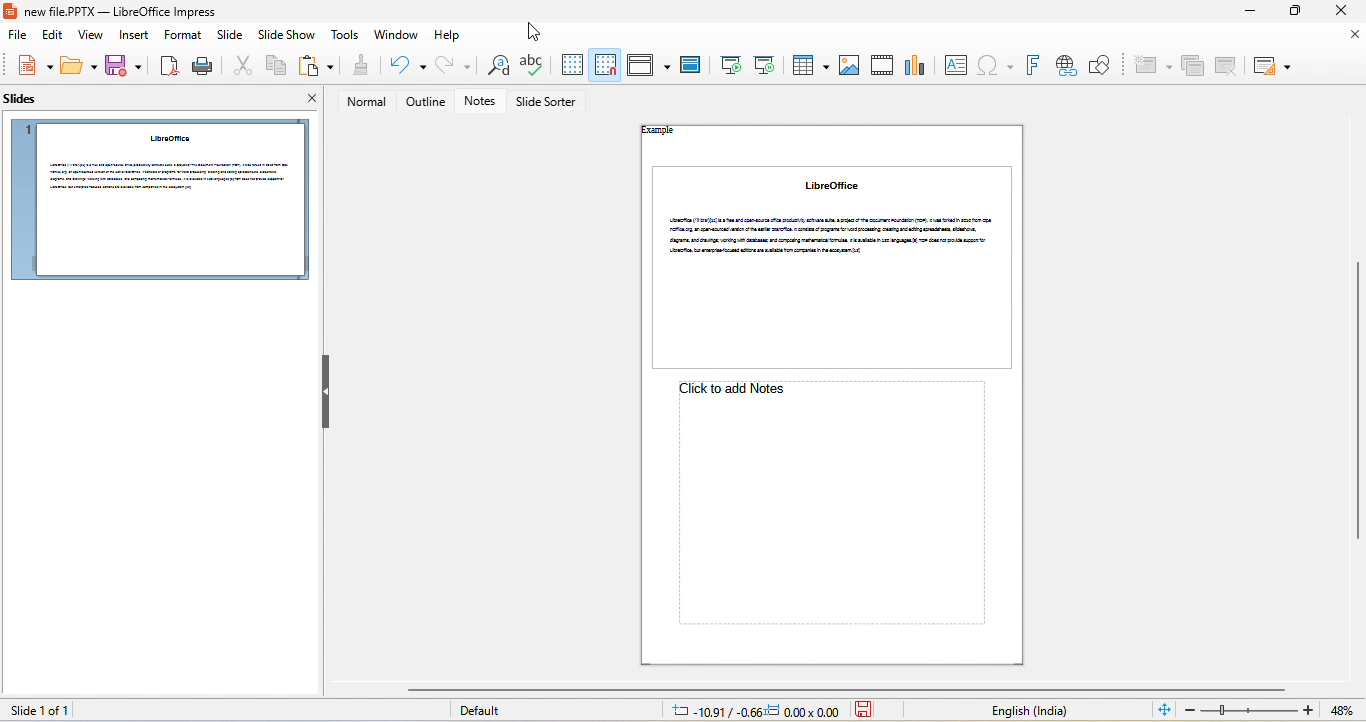 The image size is (1366, 722). I want to click on close, so click(1356, 35).